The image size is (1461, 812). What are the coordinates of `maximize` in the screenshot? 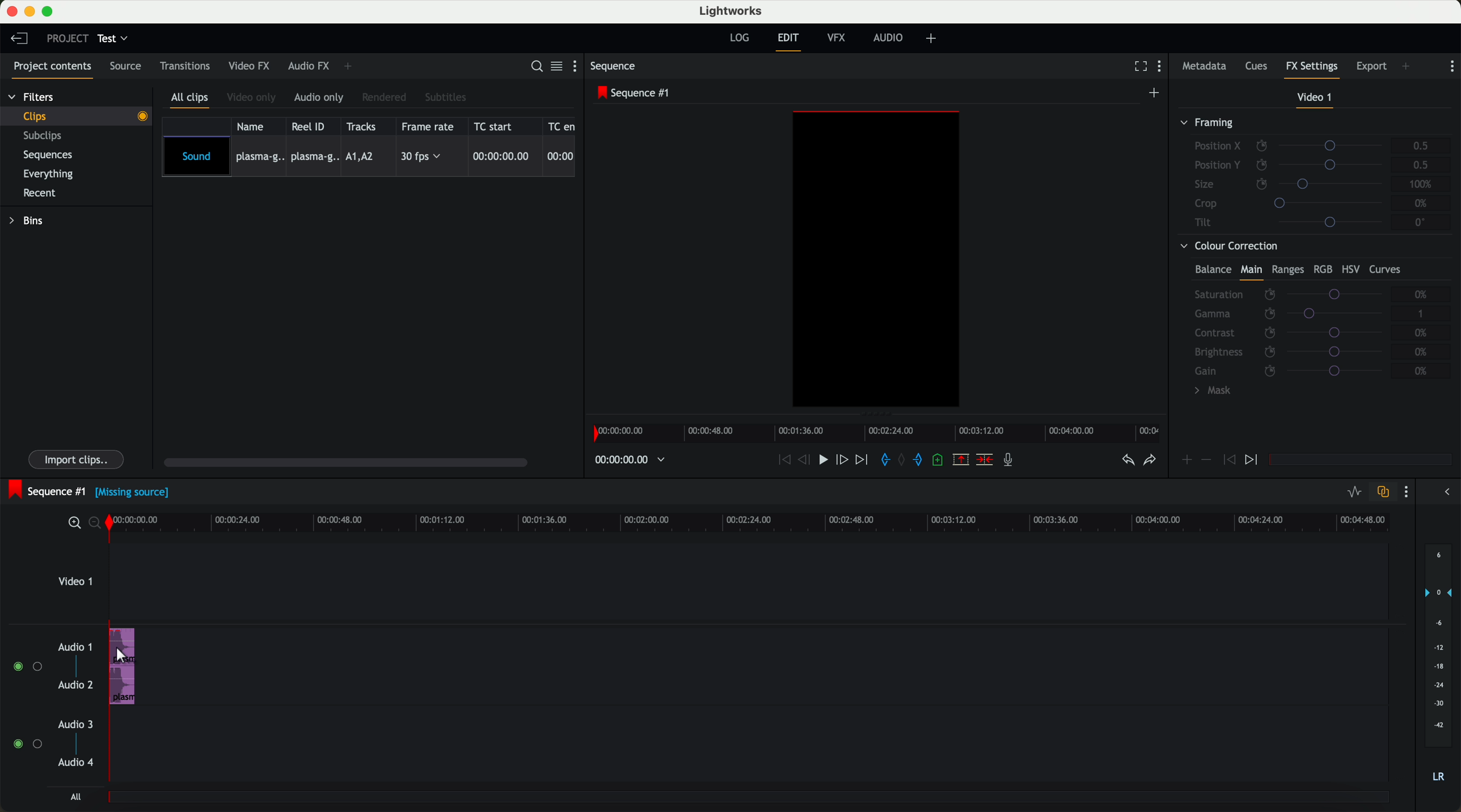 It's located at (50, 11).